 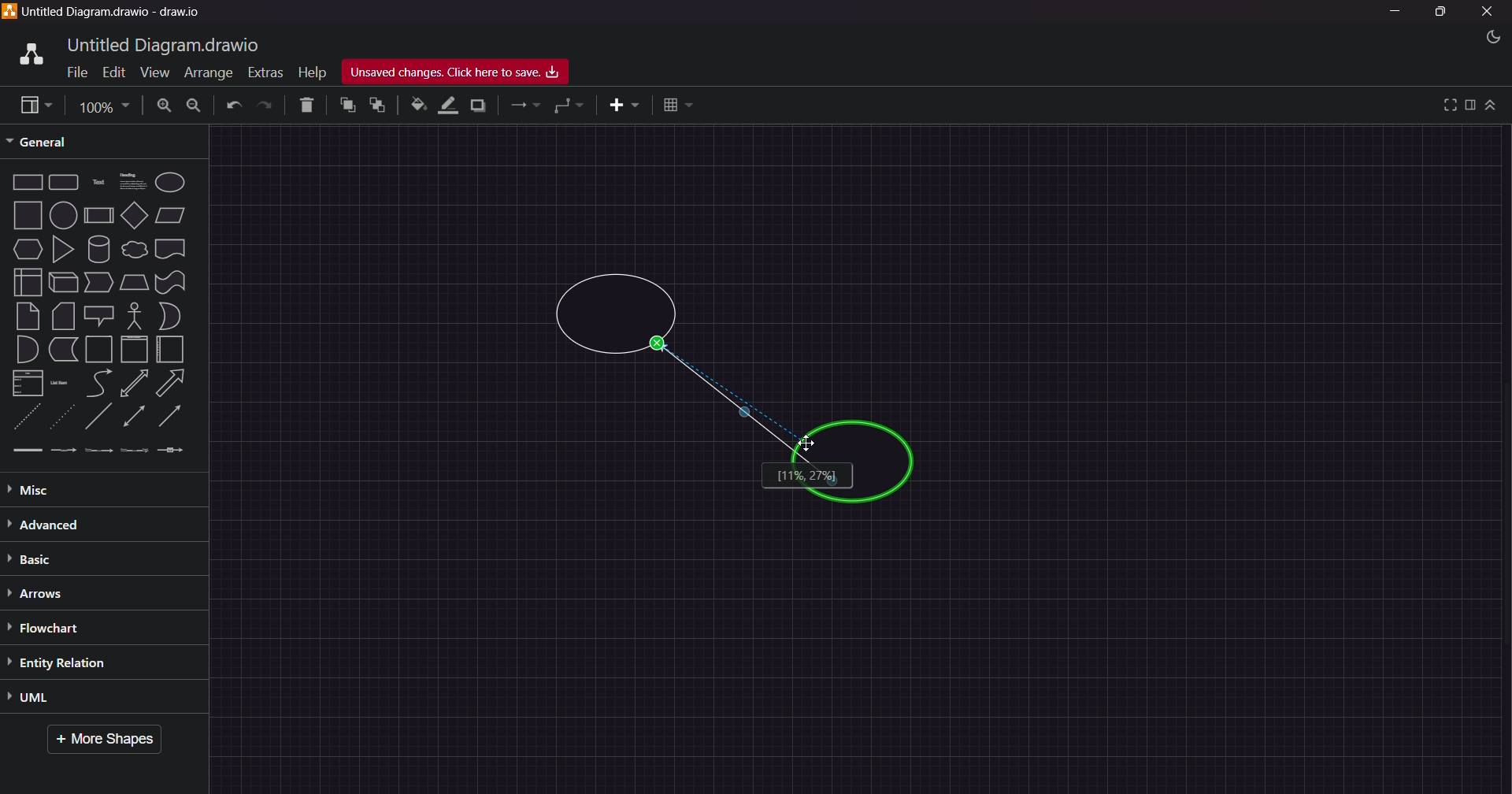 I want to click on Edit, so click(x=110, y=71).